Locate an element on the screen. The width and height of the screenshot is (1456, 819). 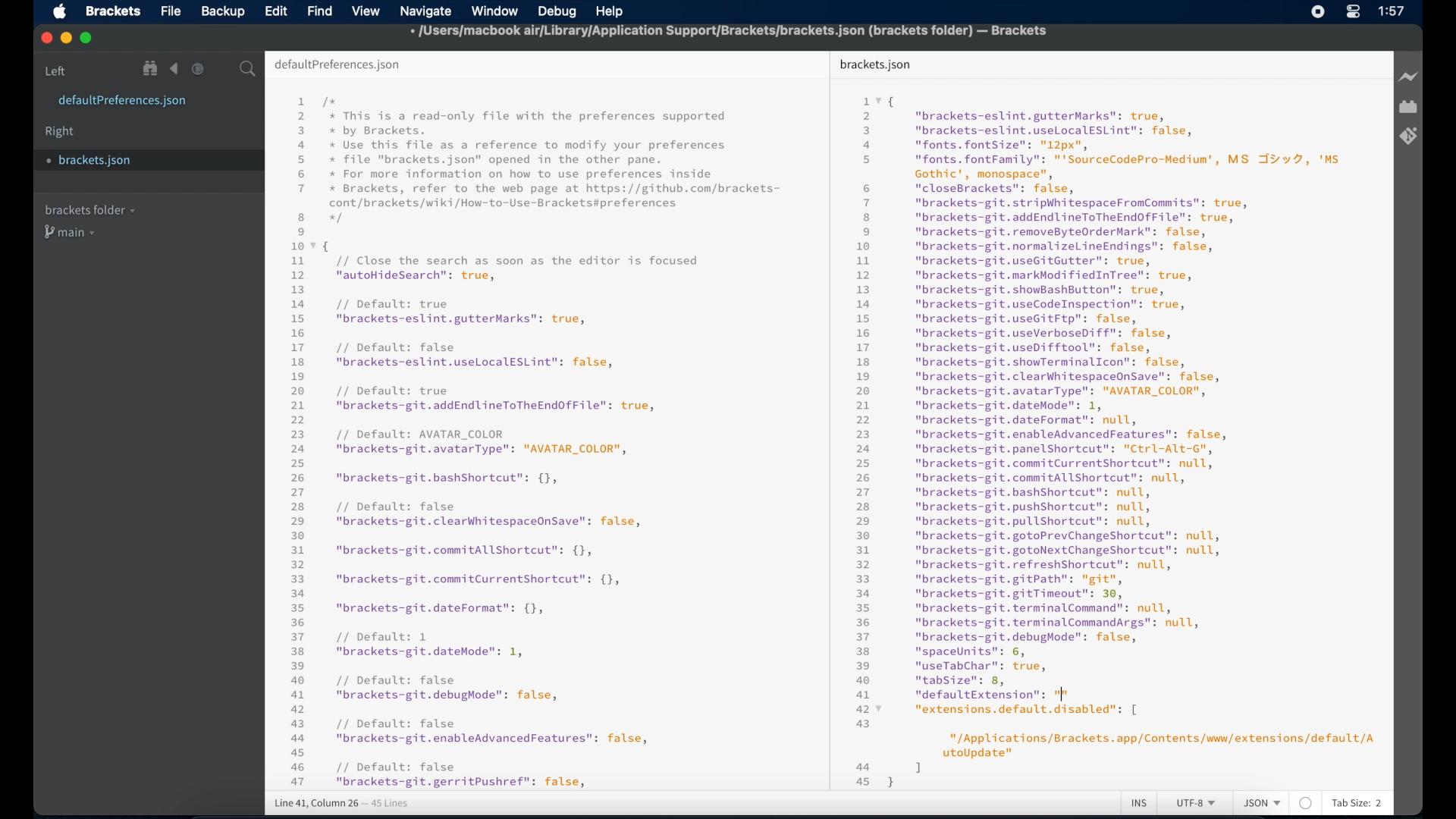
help is located at coordinates (613, 10).